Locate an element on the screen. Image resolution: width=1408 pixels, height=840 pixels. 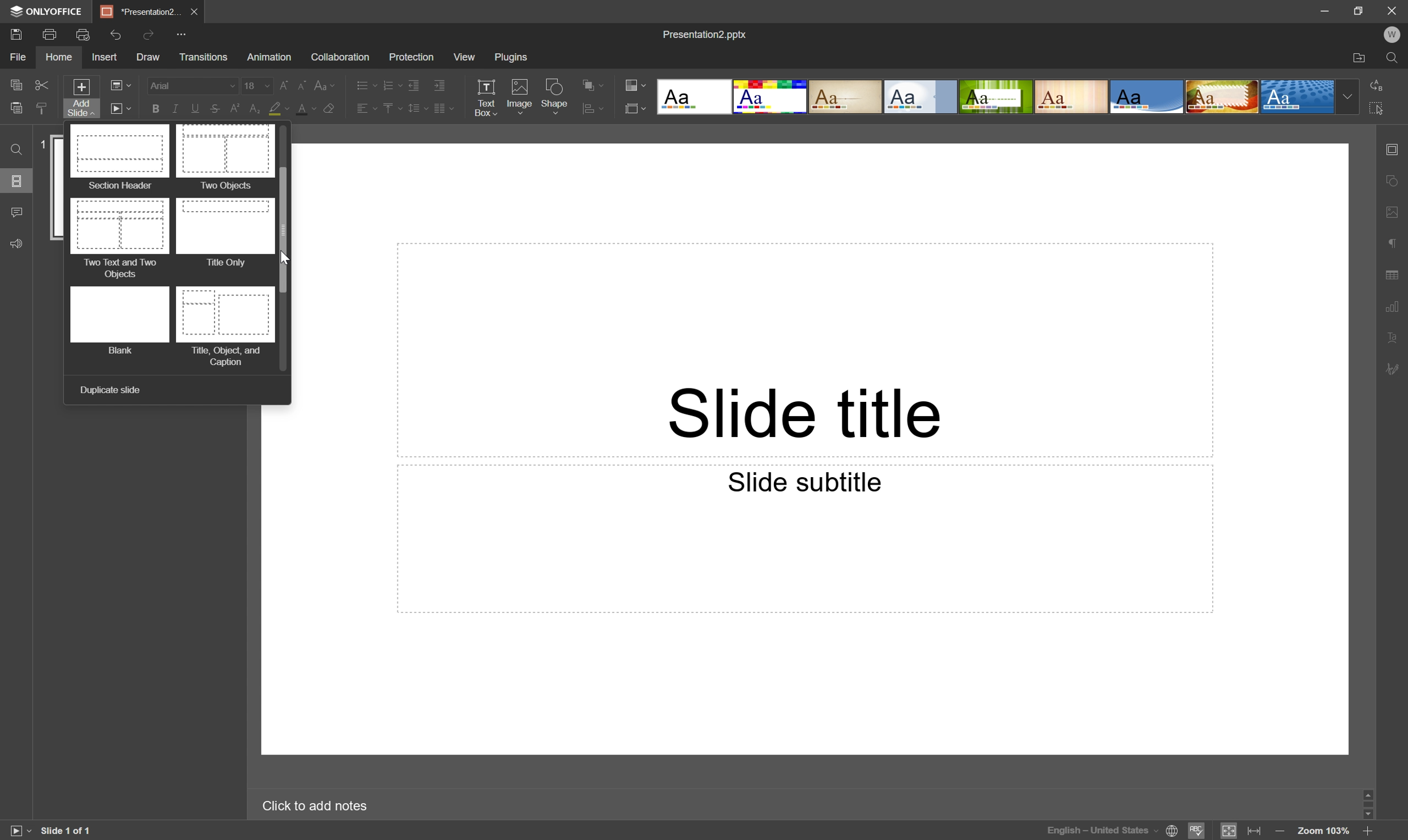
Table settings is located at coordinates (1397, 273).